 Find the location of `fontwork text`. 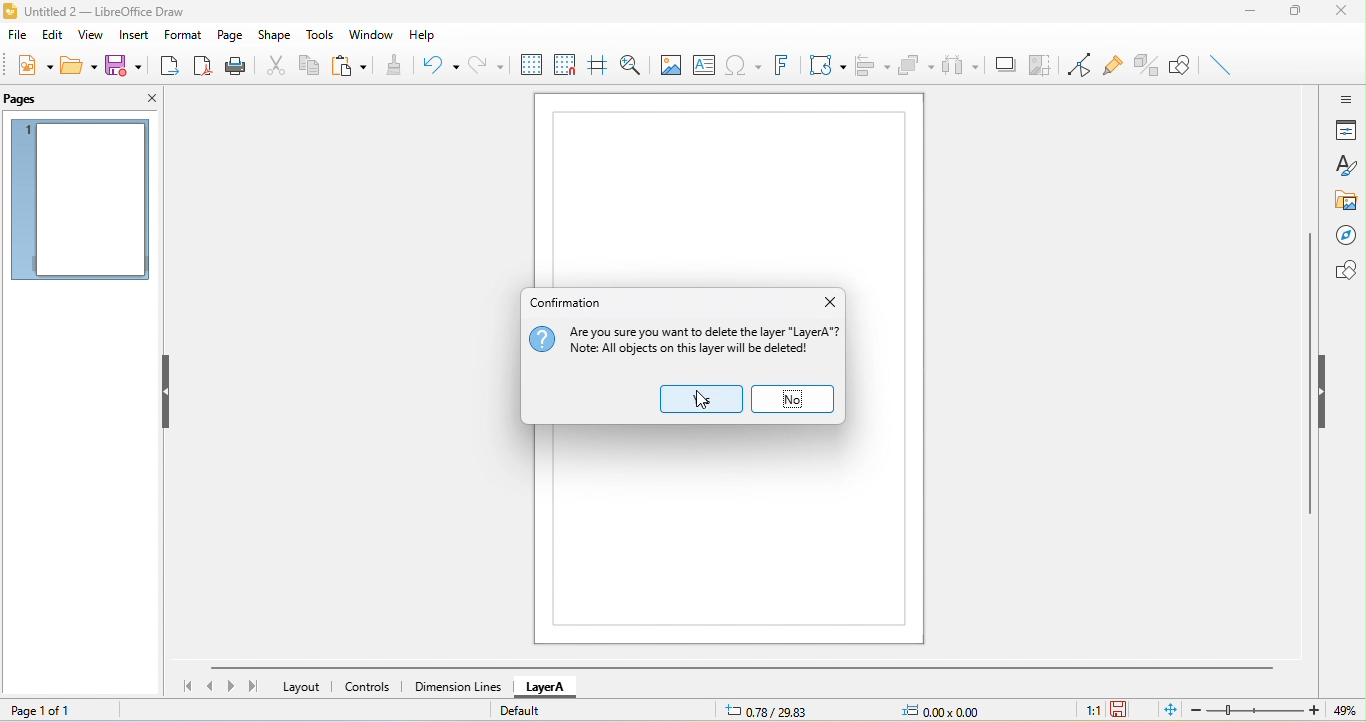

fontwork text is located at coordinates (776, 65).